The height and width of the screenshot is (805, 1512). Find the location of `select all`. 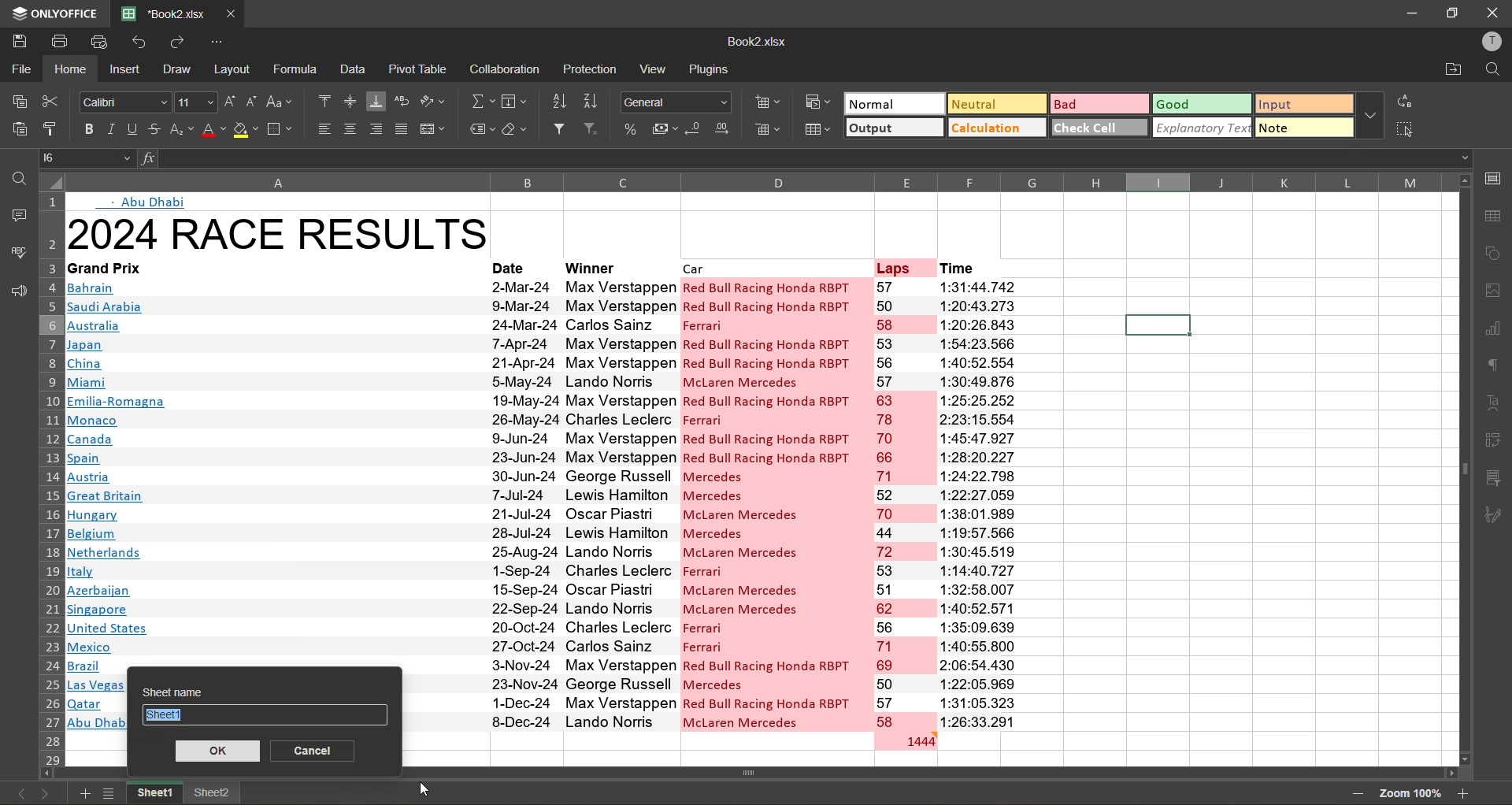

select all is located at coordinates (1404, 128).